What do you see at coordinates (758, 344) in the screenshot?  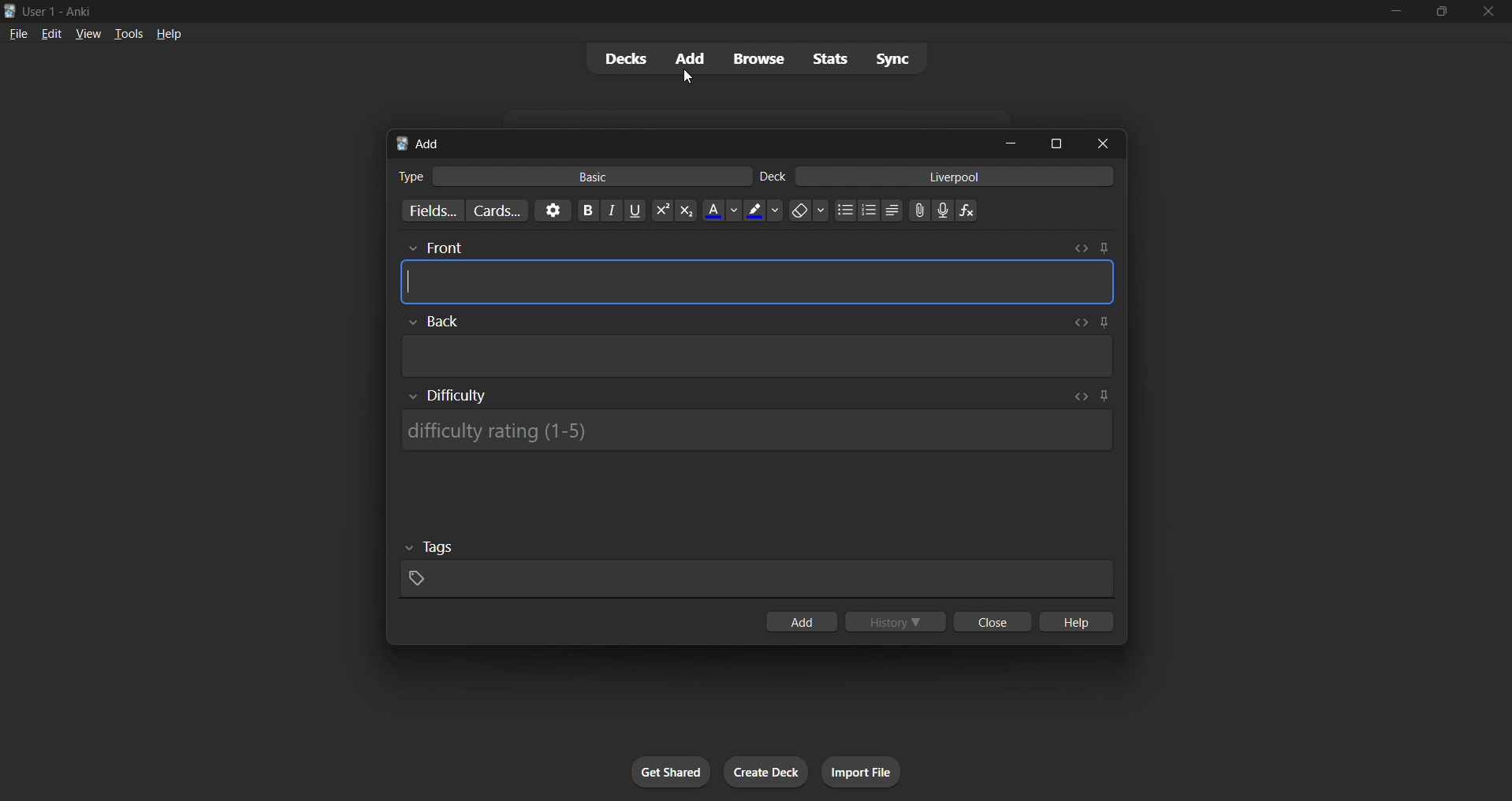 I see `card back input box` at bounding box center [758, 344].